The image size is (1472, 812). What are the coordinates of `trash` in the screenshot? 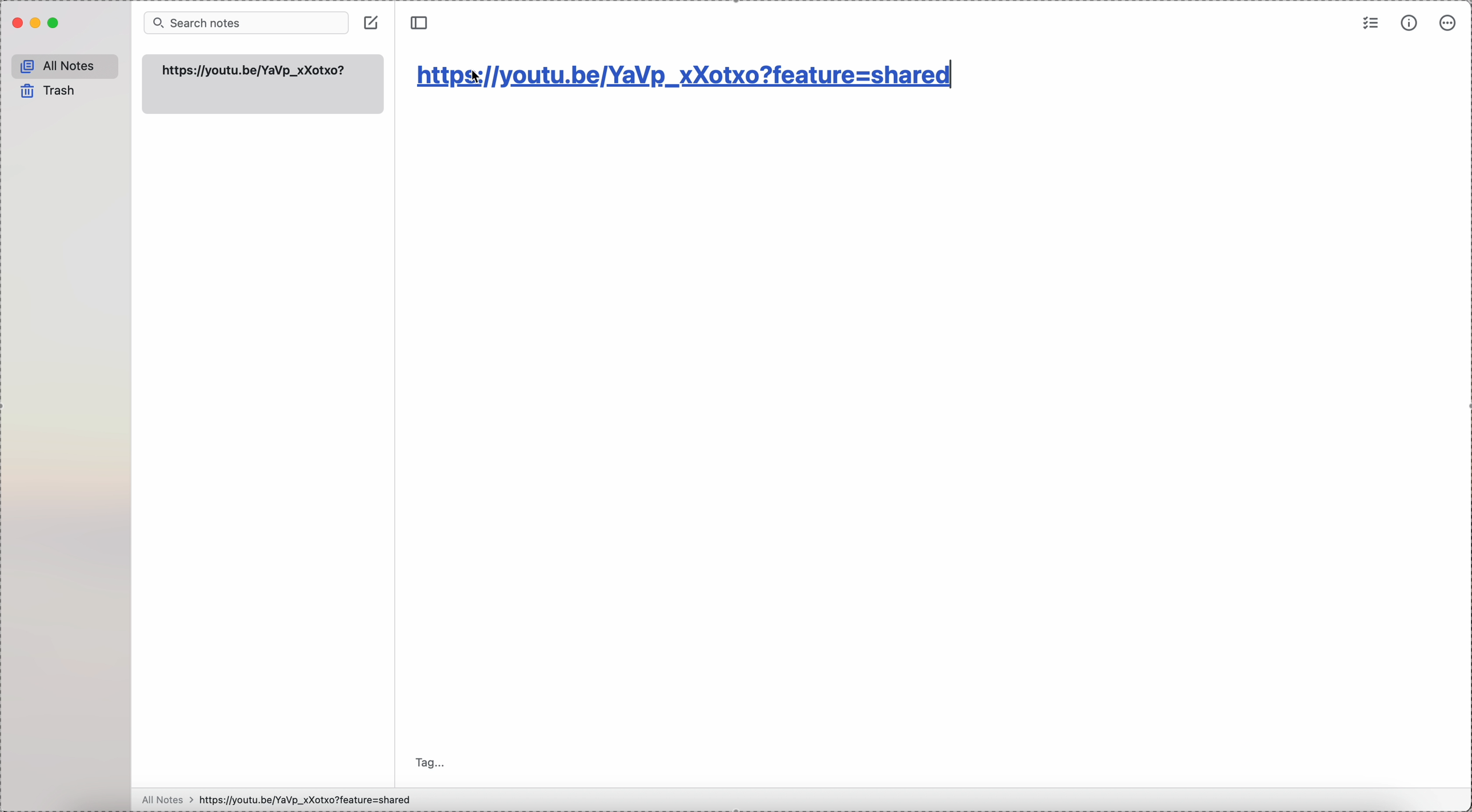 It's located at (49, 91).